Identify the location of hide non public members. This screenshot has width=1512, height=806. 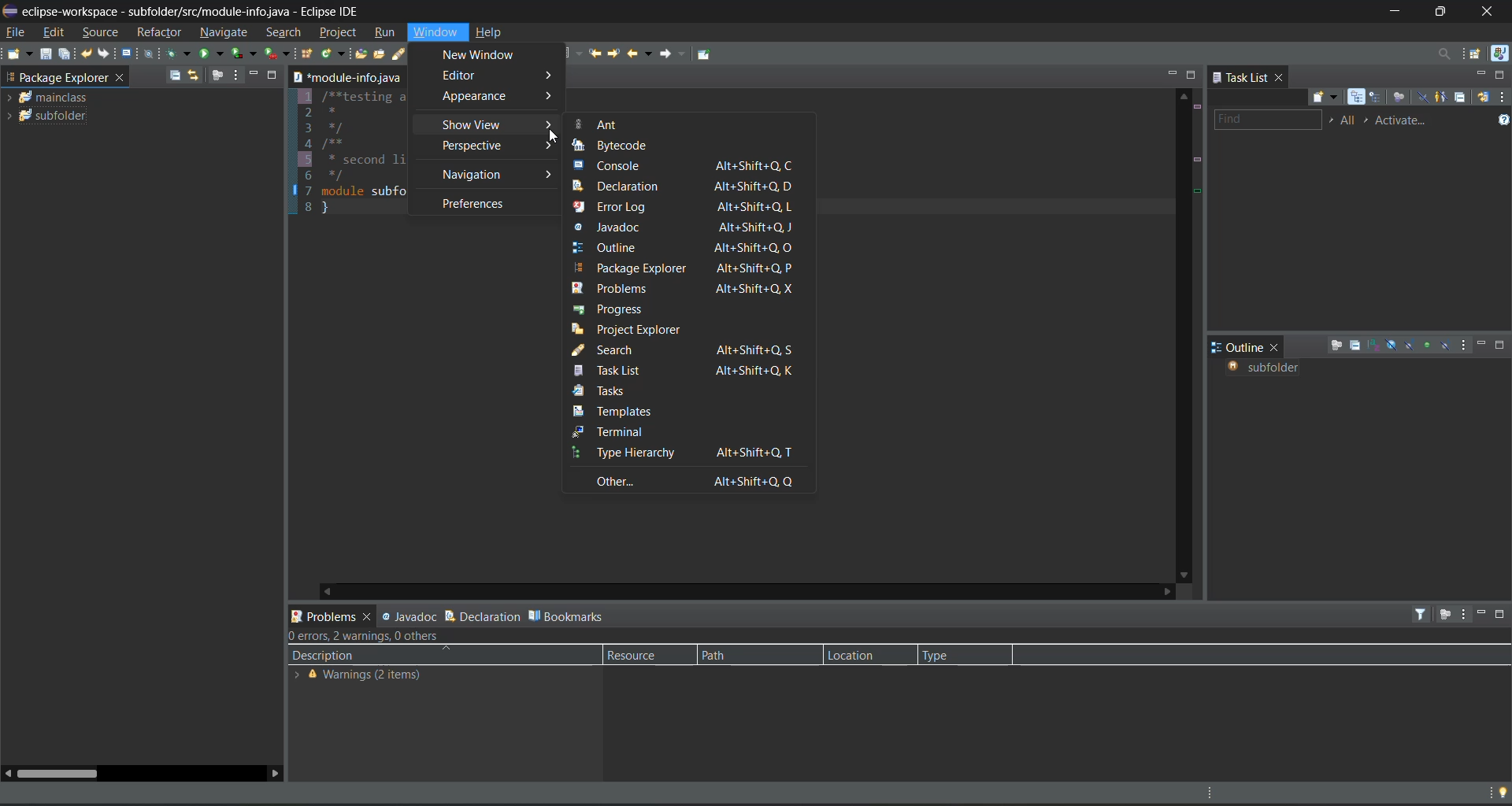
(1427, 344).